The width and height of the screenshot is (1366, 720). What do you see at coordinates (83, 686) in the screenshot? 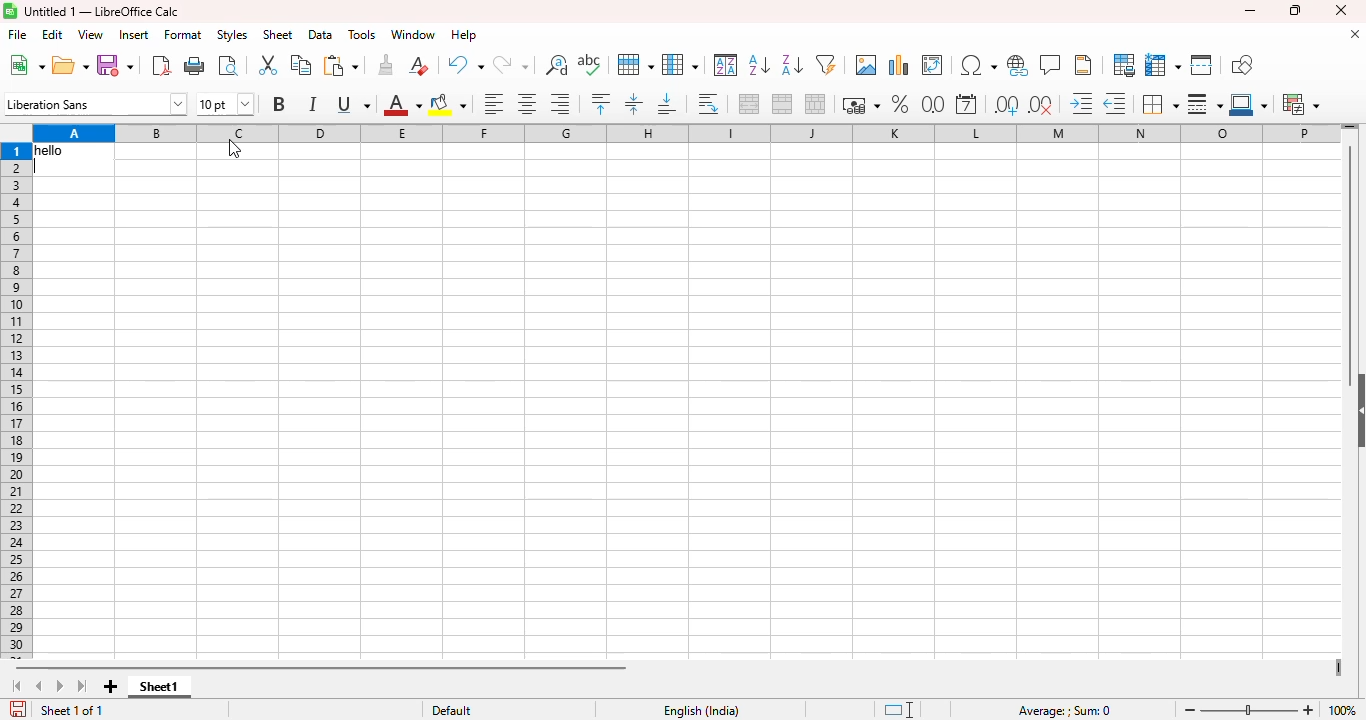
I see `scroll to last sheet` at bounding box center [83, 686].